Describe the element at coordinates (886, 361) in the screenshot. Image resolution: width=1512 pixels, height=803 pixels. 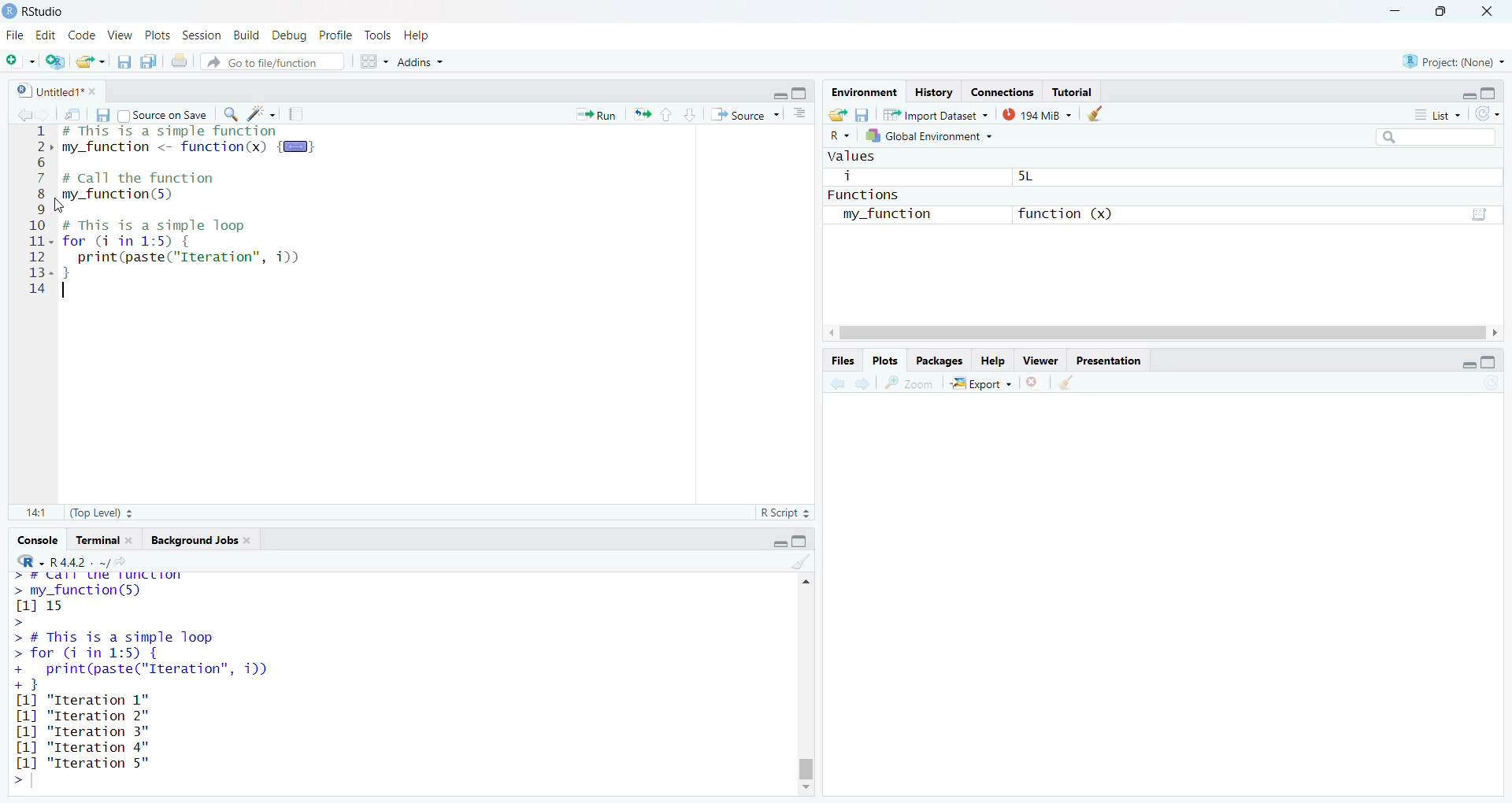
I see `plots` at that location.